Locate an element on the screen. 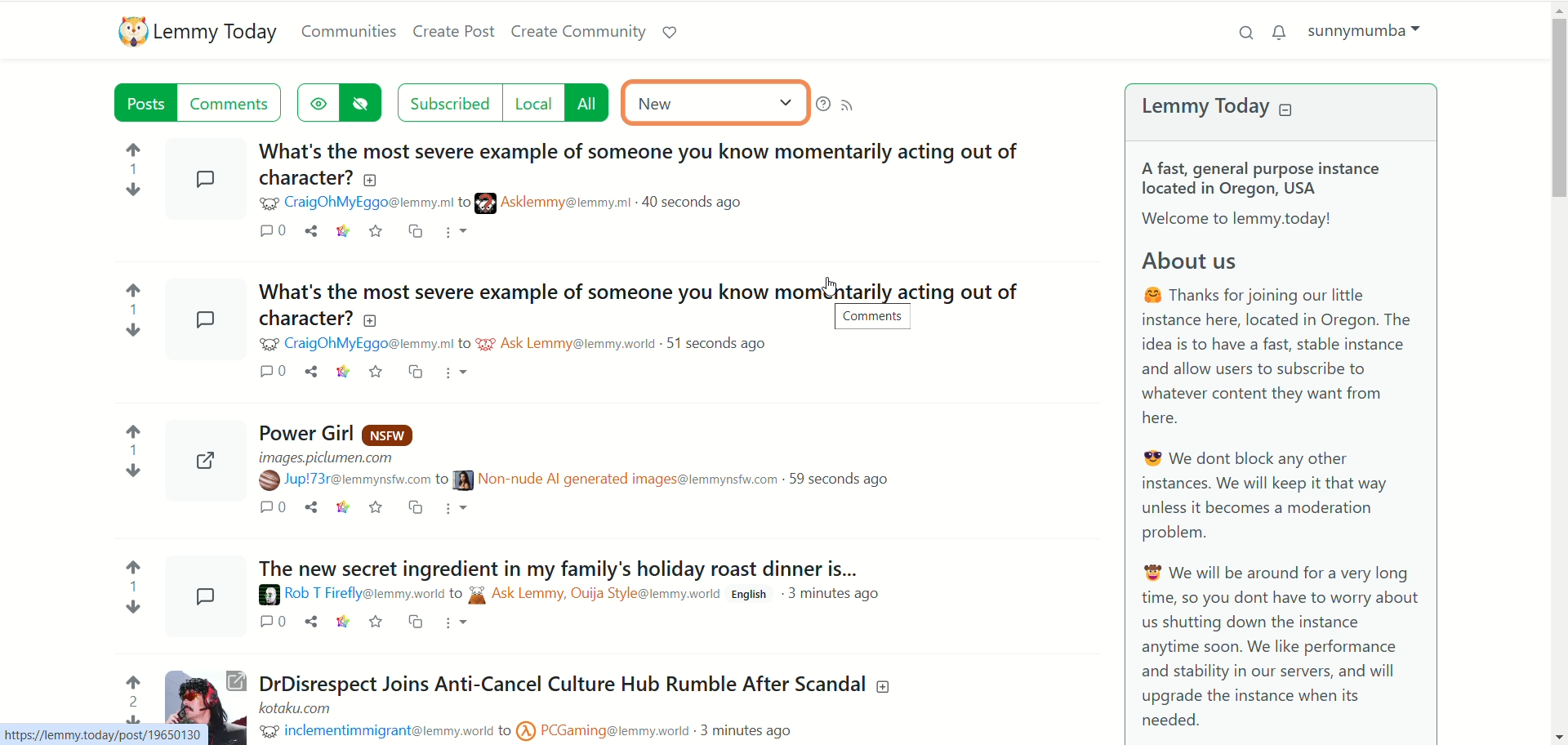 This screenshot has height=745, width=1568. More is located at coordinates (465, 509).